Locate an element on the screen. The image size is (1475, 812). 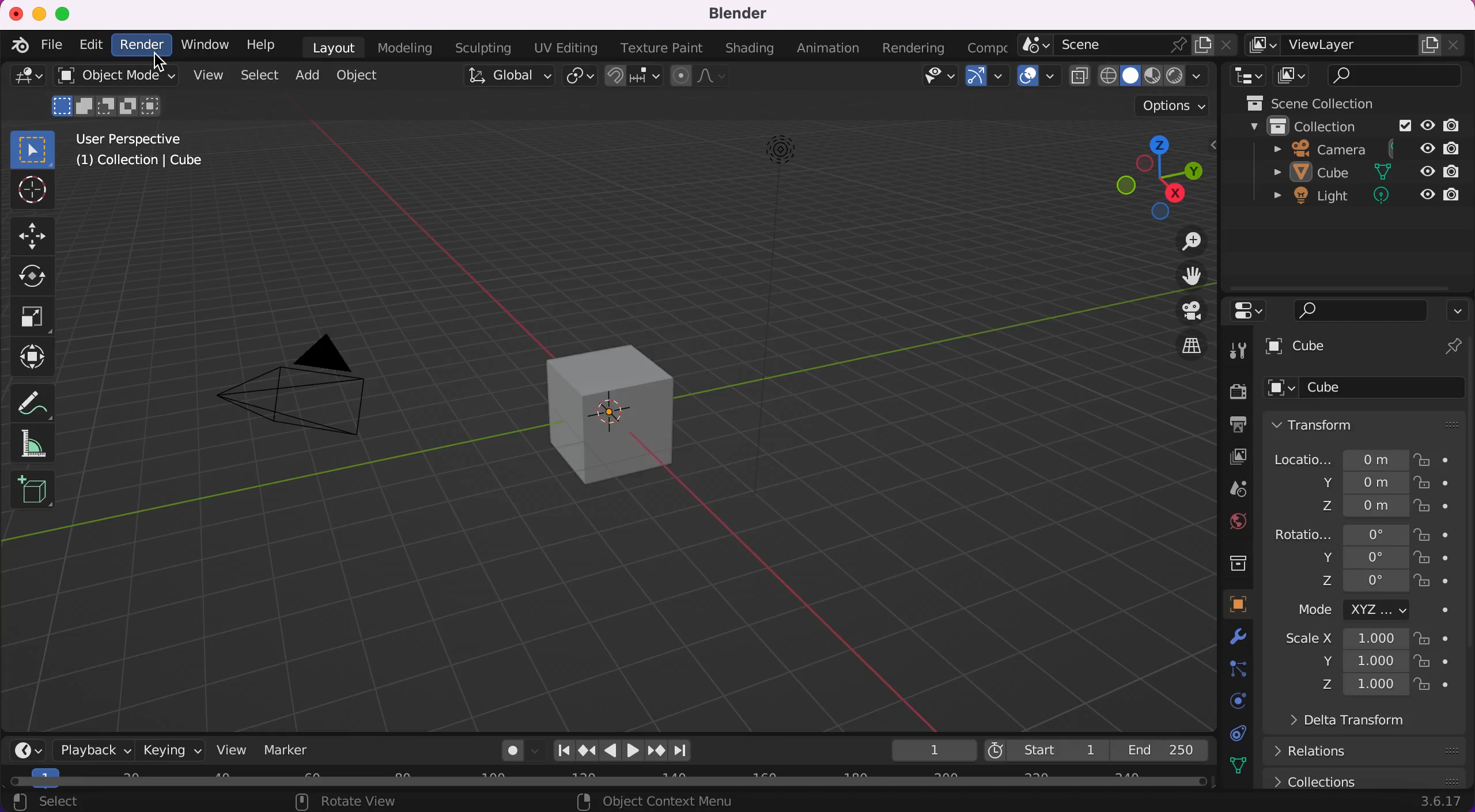
lock is located at coordinates (1432, 460).